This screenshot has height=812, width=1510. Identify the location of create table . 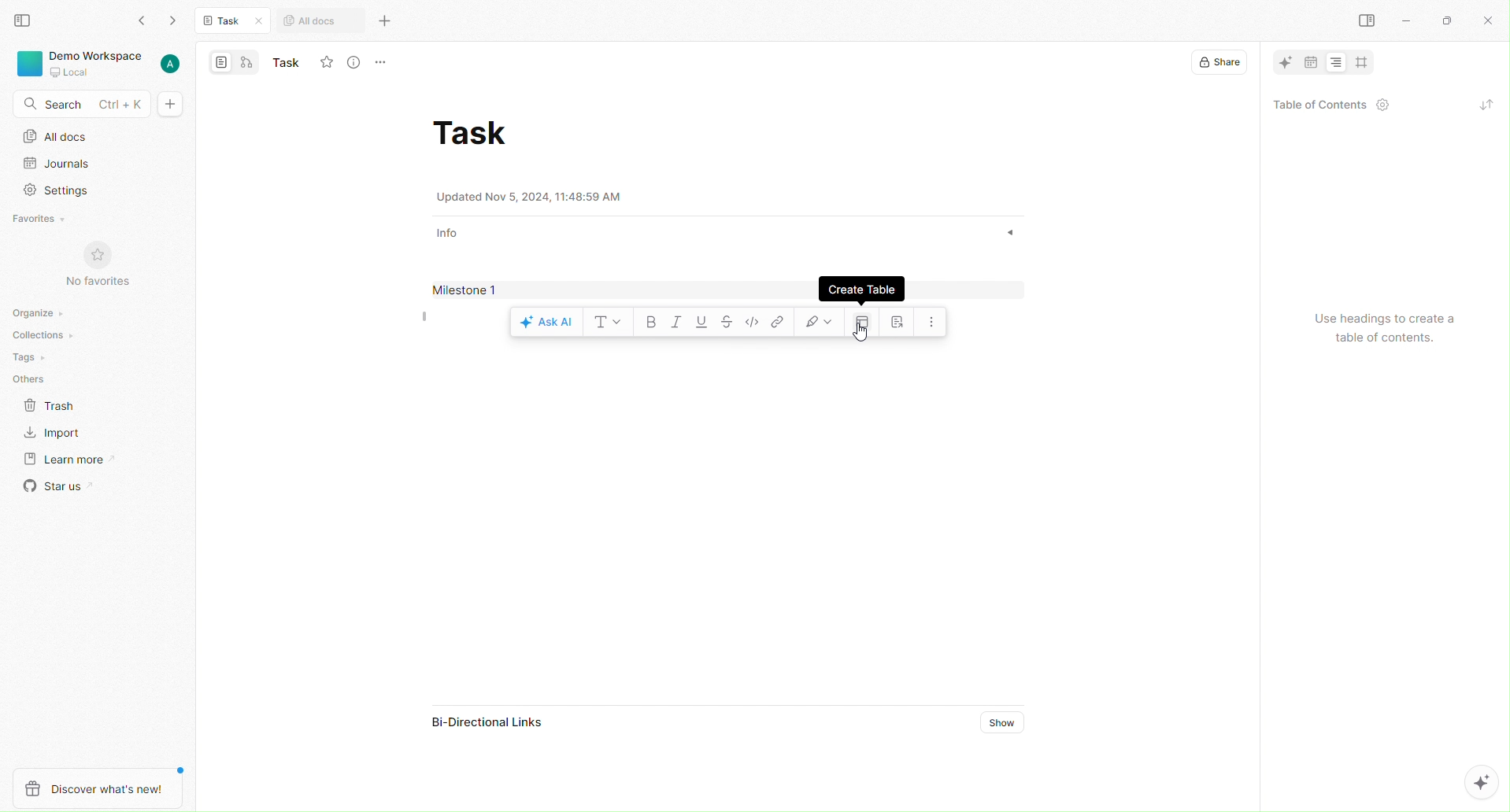
(866, 319).